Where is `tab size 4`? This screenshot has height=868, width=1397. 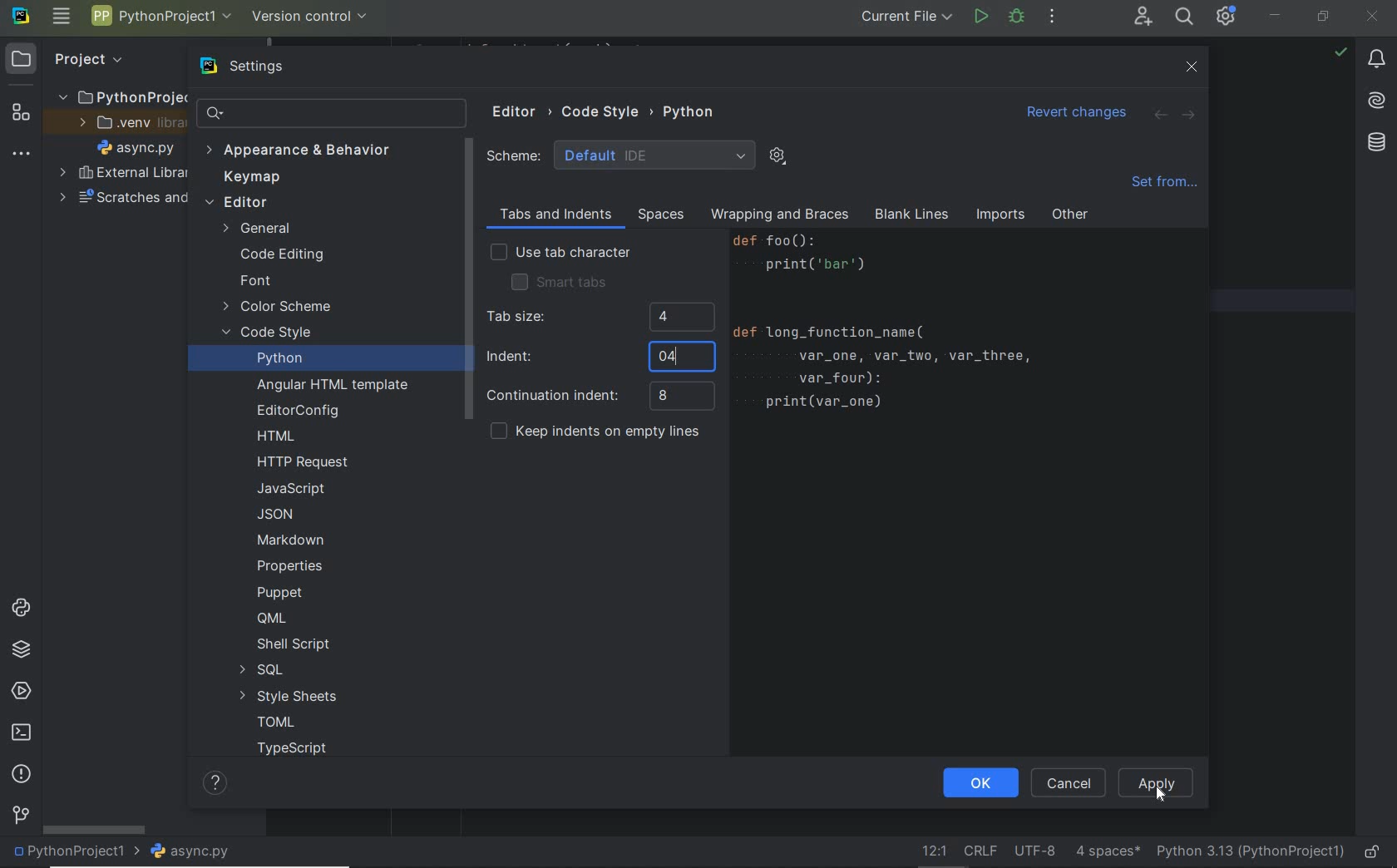 tab size 4 is located at coordinates (602, 318).